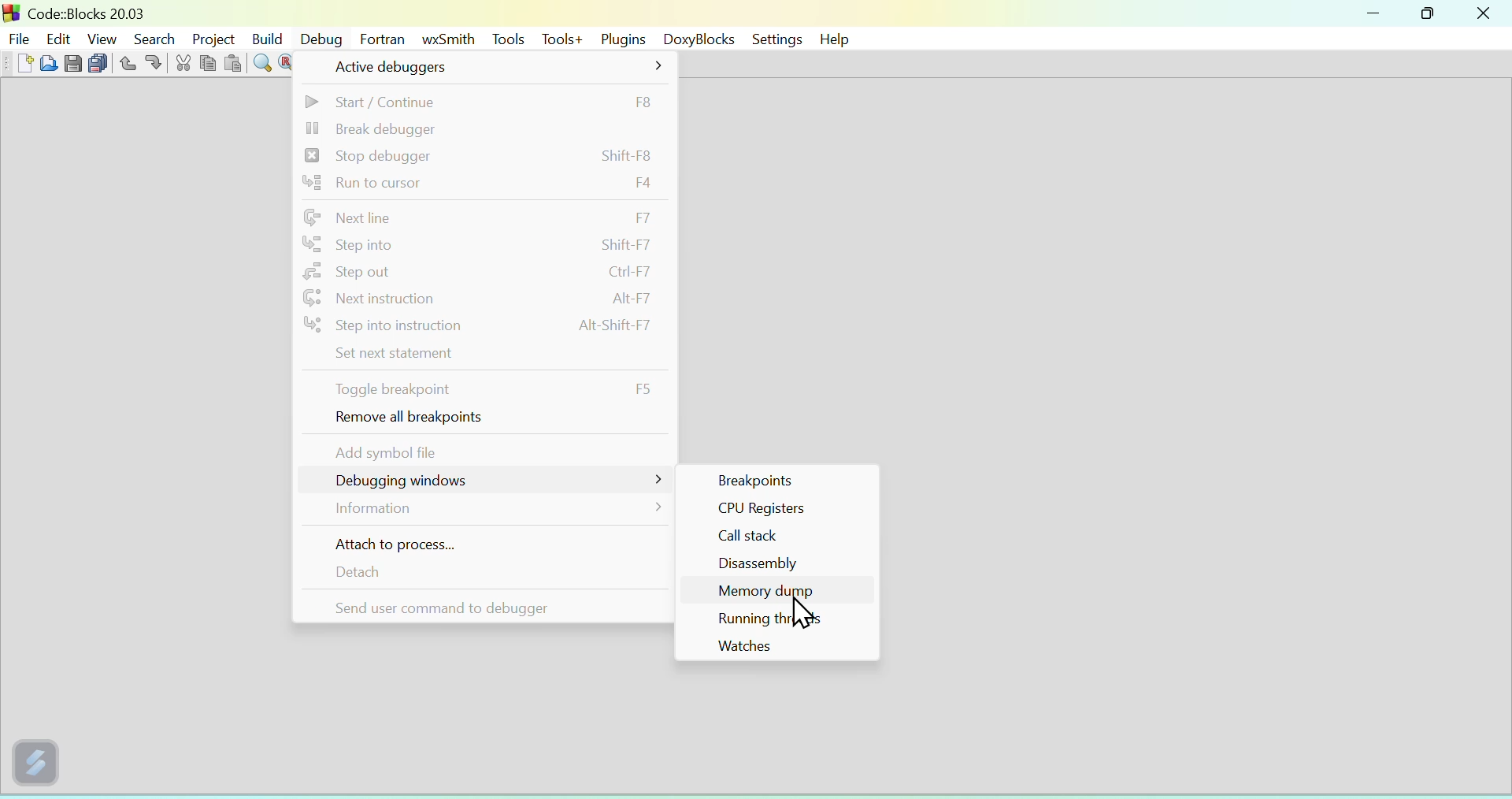 The width and height of the screenshot is (1512, 799). Describe the element at coordinates (478, 605) in the screenshot. I see `send user command to debugger` at that location.